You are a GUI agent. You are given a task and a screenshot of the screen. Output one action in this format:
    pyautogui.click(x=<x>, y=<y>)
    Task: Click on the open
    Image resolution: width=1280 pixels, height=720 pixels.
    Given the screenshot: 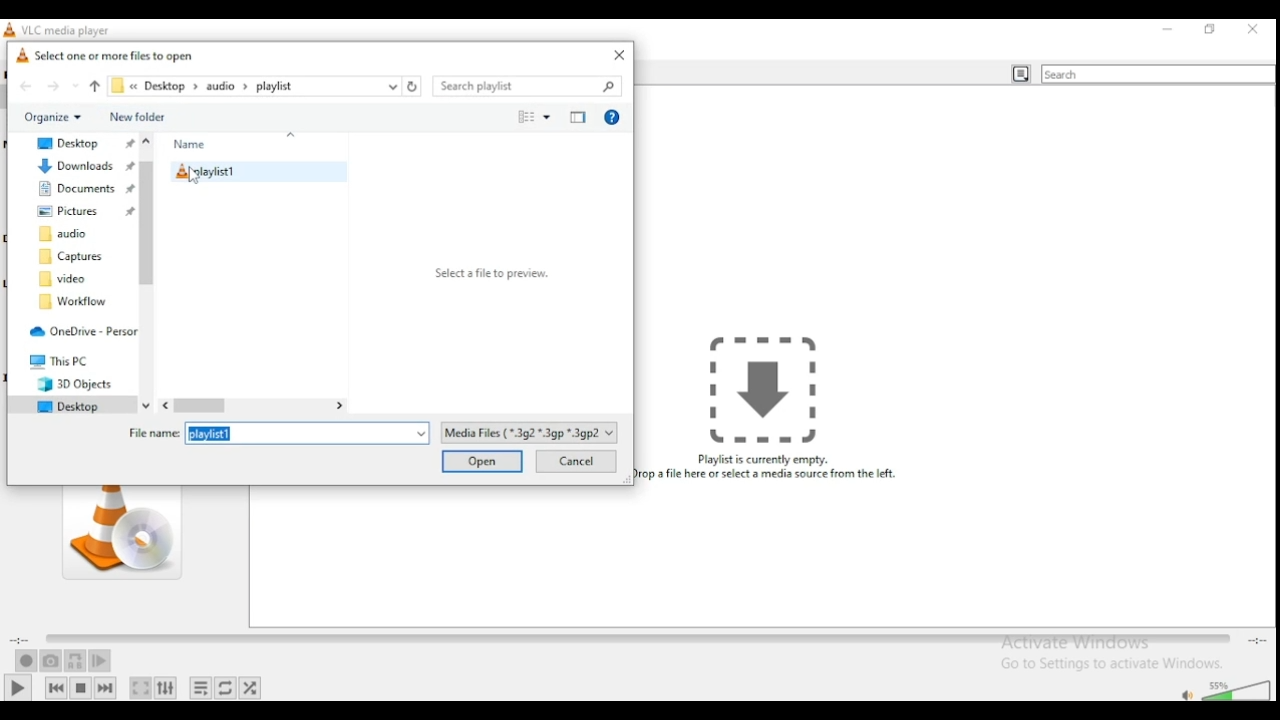 What is the action you would take?
    pyautogui.click(x=482, y=463)
    